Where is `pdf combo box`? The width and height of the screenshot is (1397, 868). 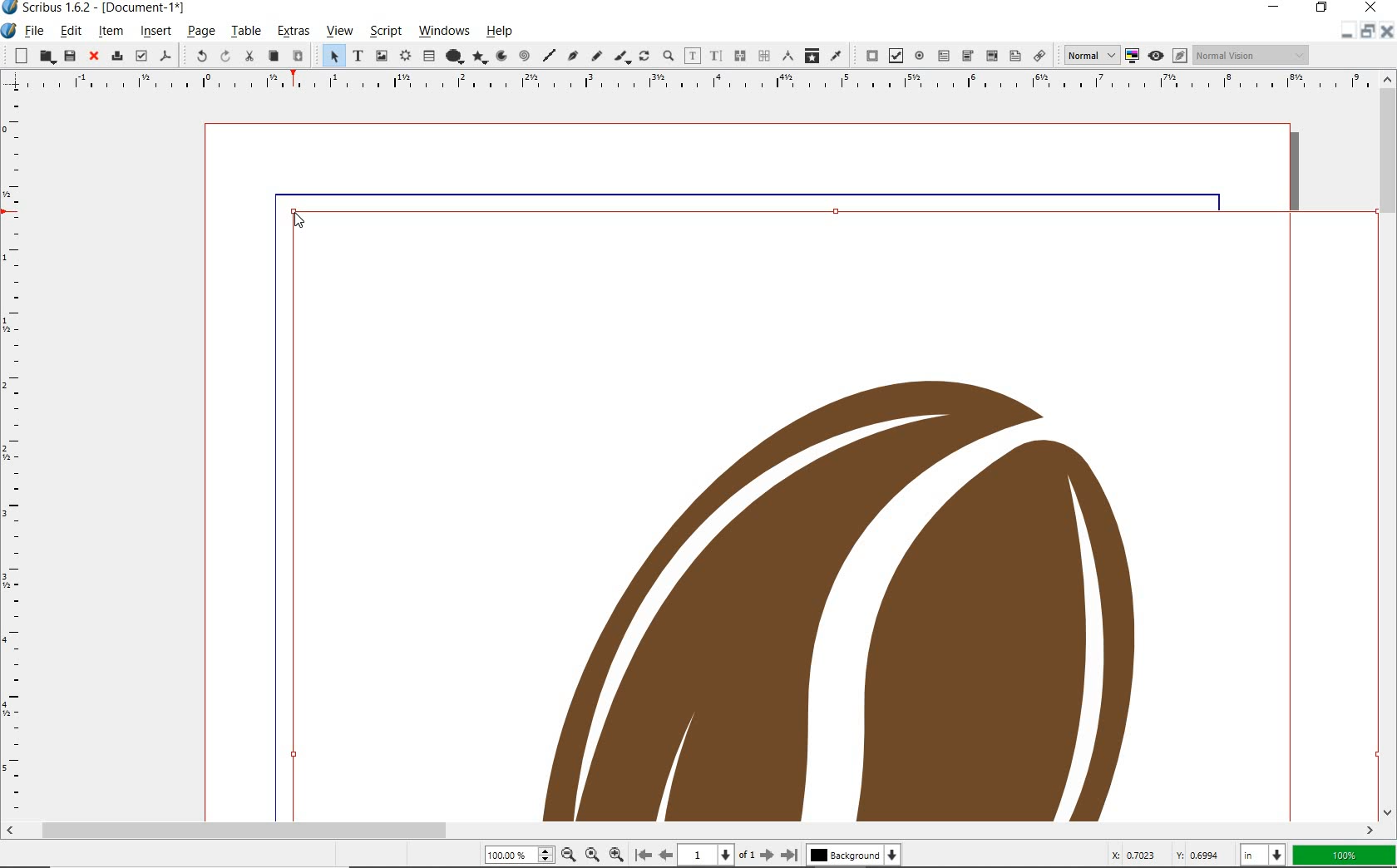
pdf combo box is located at coordinates (990, 55).